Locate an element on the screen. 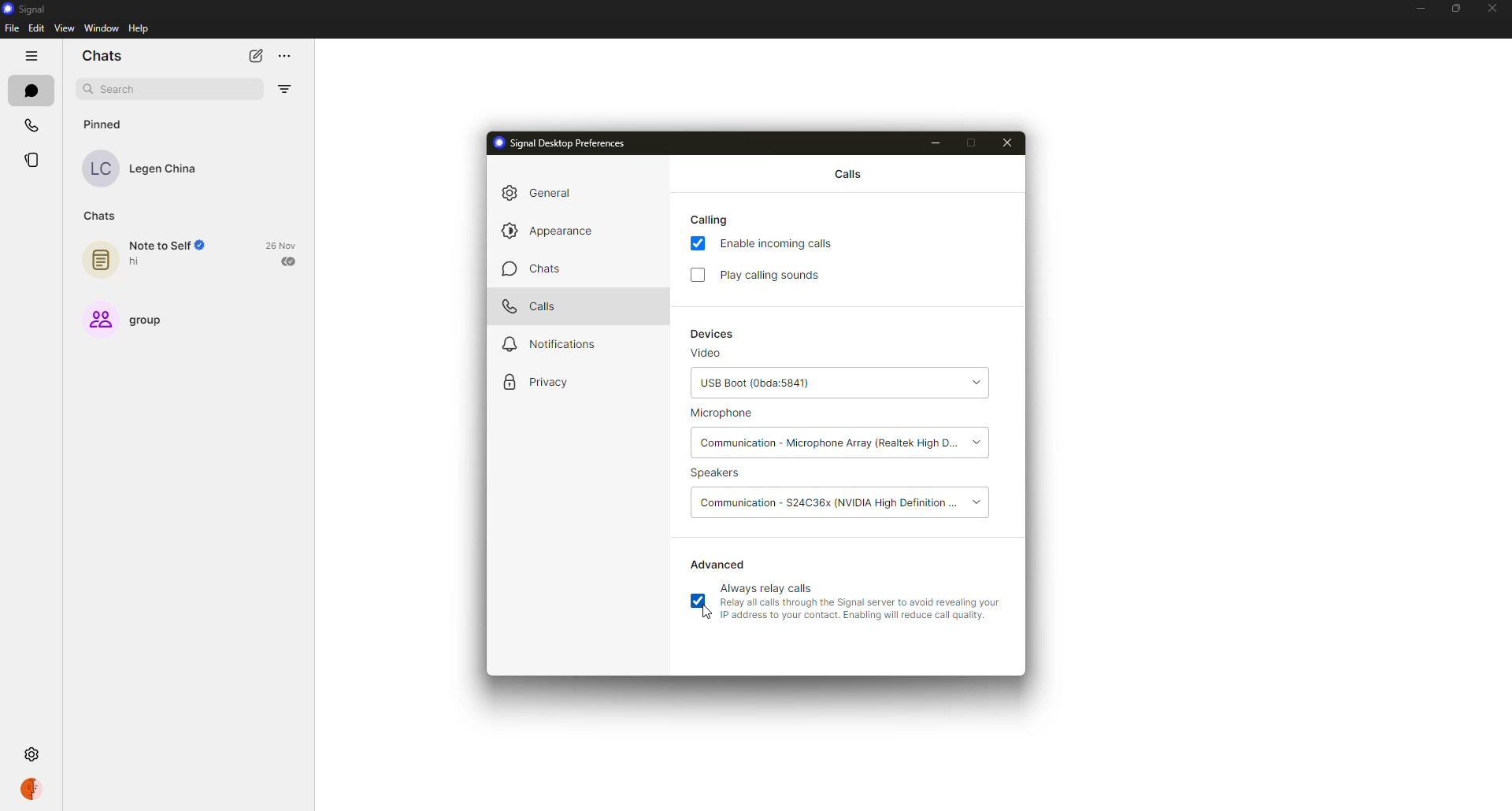  close is located at coordinates (1008, 143).